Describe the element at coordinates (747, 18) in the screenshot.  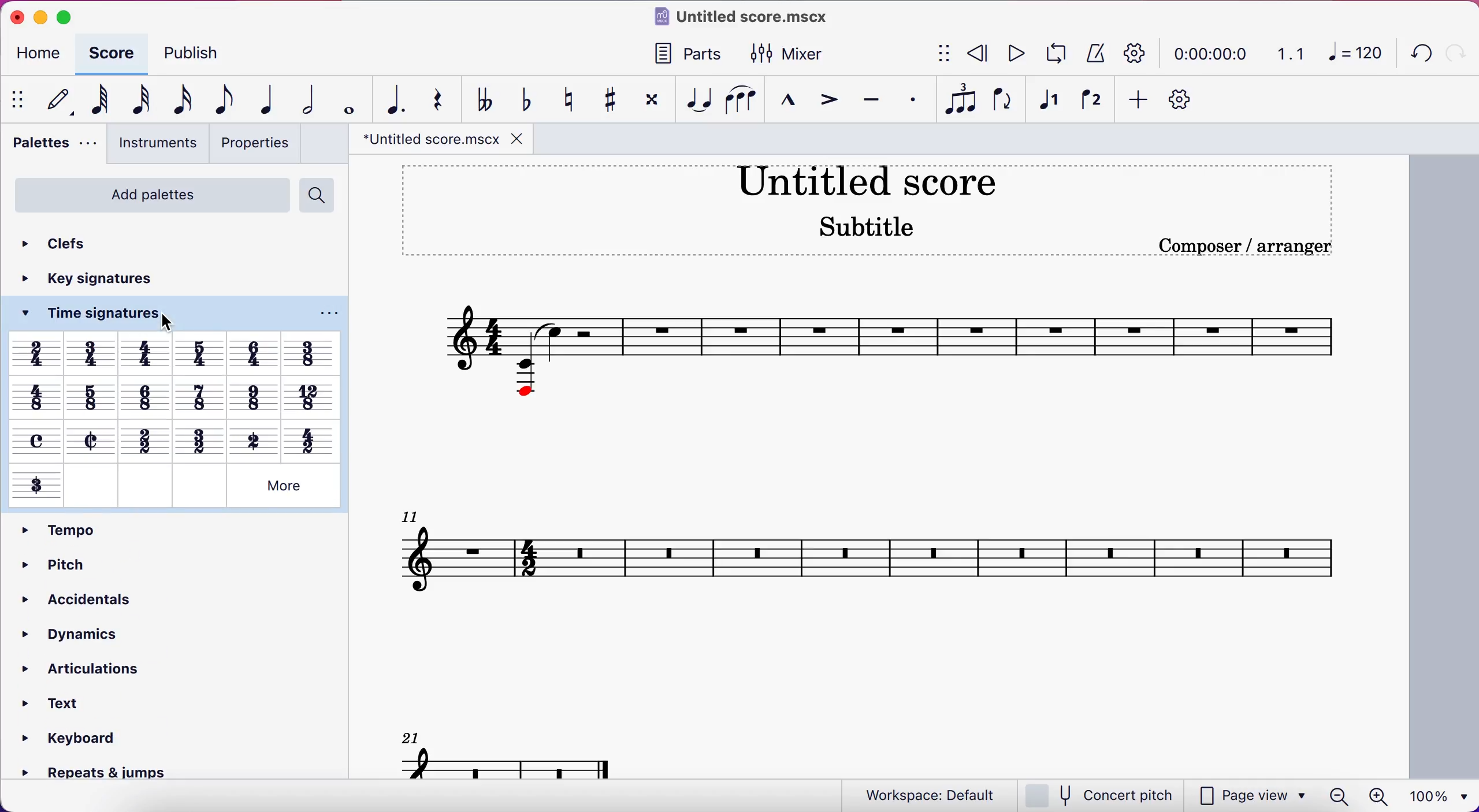
I see `untitled score.mscx` at that location.